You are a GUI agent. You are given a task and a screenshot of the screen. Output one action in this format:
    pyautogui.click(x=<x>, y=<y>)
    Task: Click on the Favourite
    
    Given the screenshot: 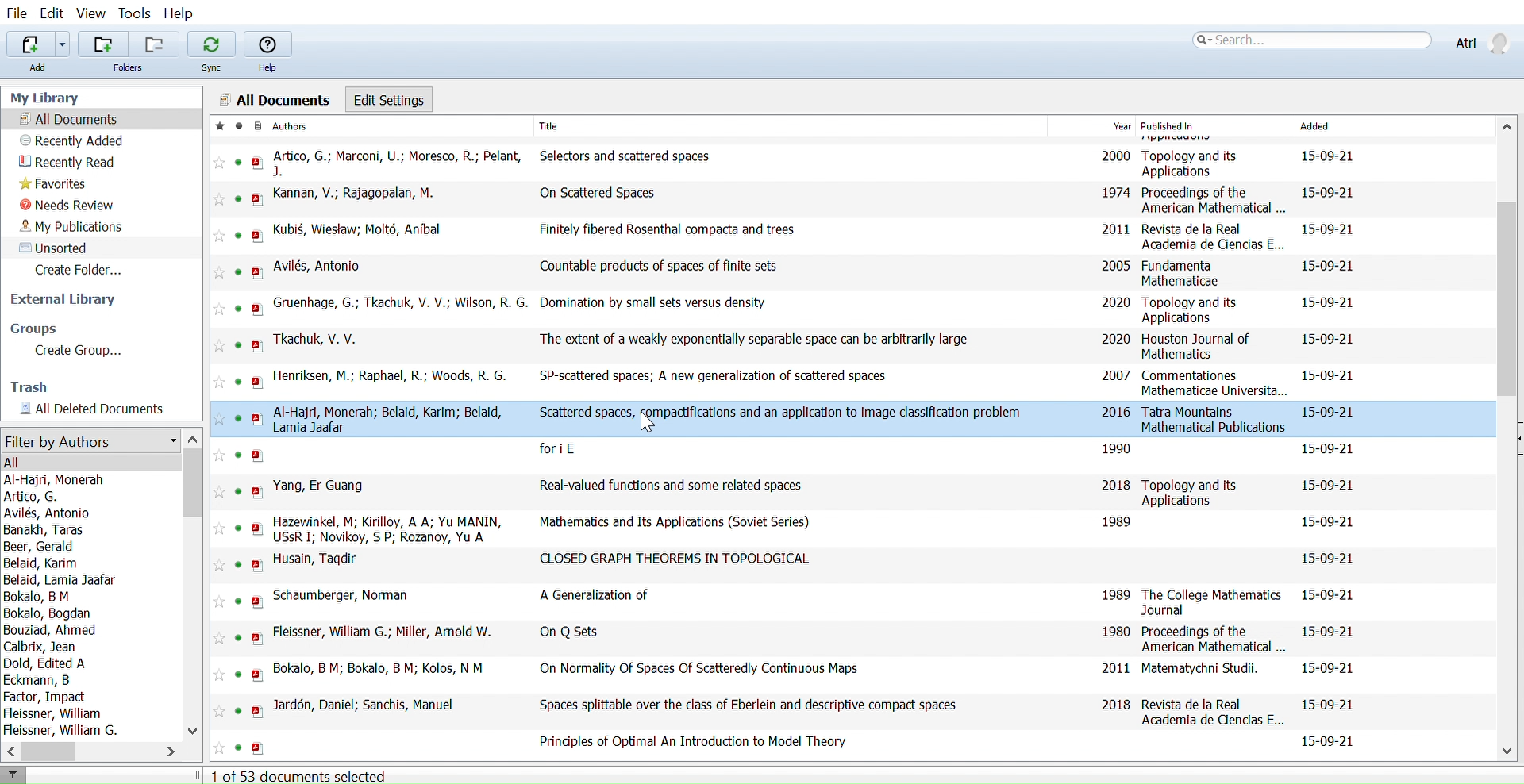 What is the action you would take?
    pyautogui.click(x=217, y=566)
    